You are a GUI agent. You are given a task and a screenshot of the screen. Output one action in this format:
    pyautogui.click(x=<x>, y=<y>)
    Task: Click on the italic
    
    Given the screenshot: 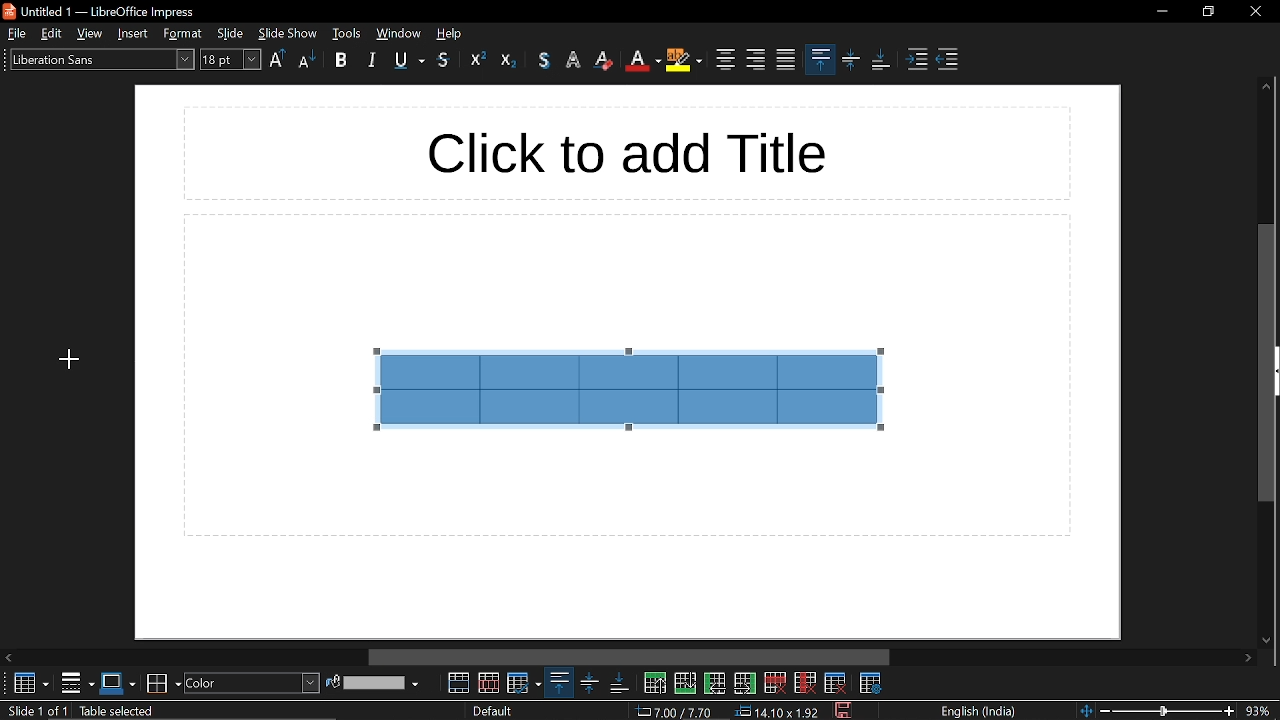 What is the action you would take?
    pyautogui.click(x=372, y=58)
    